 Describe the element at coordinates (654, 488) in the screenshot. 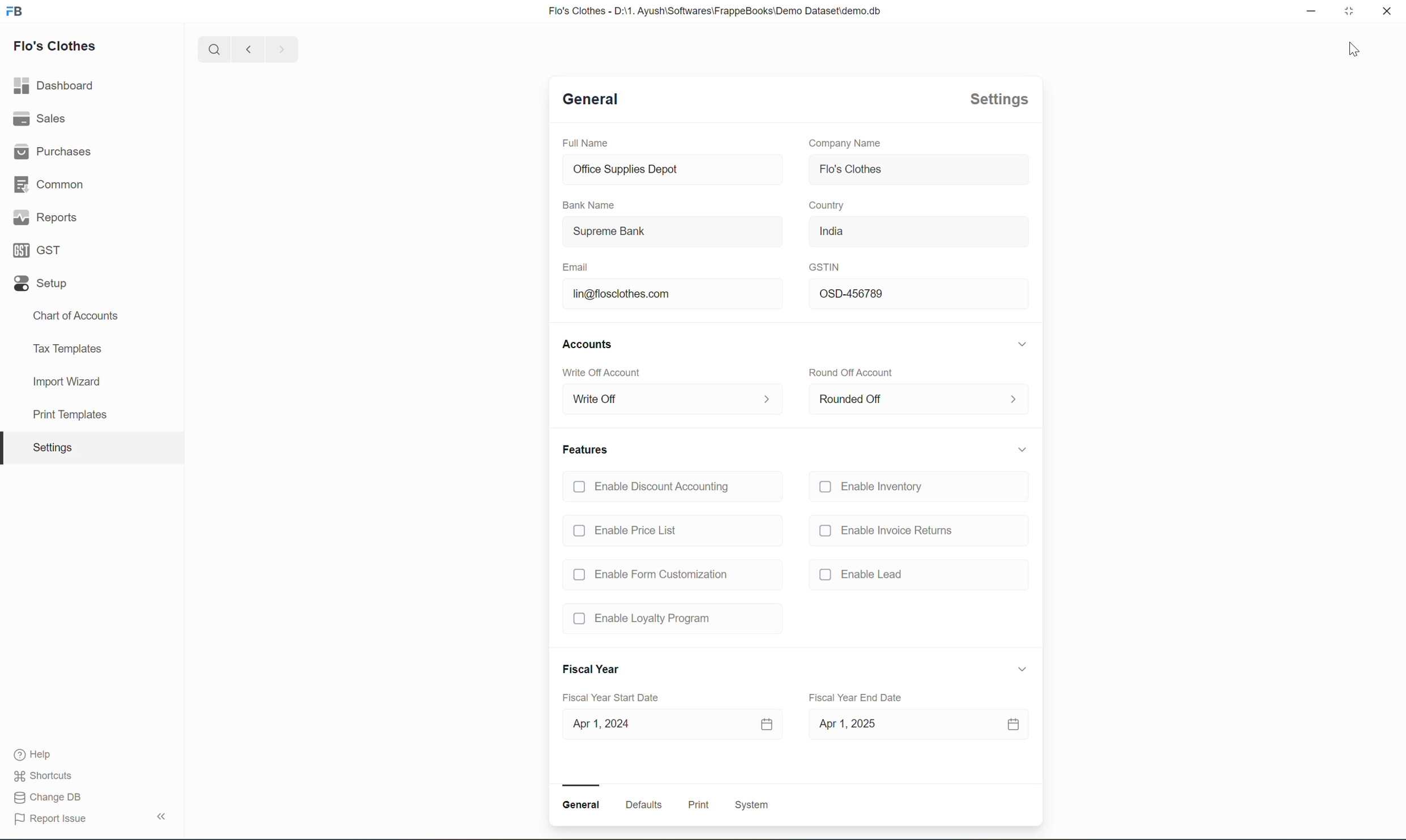

I see `Enable Discount Accounting` at that location.